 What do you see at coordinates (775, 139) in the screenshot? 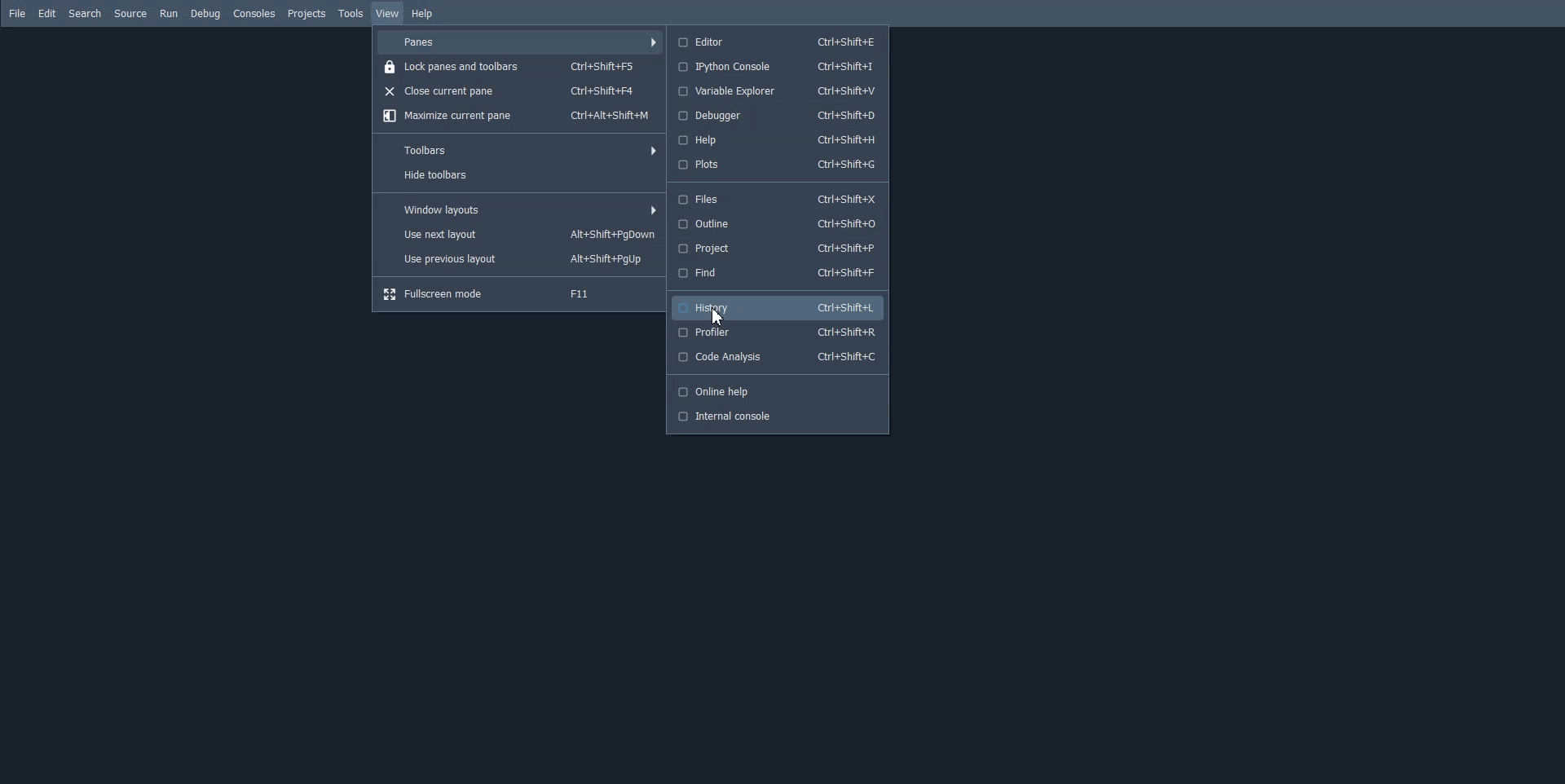
I see `Help` at bounding box center [775, 139].